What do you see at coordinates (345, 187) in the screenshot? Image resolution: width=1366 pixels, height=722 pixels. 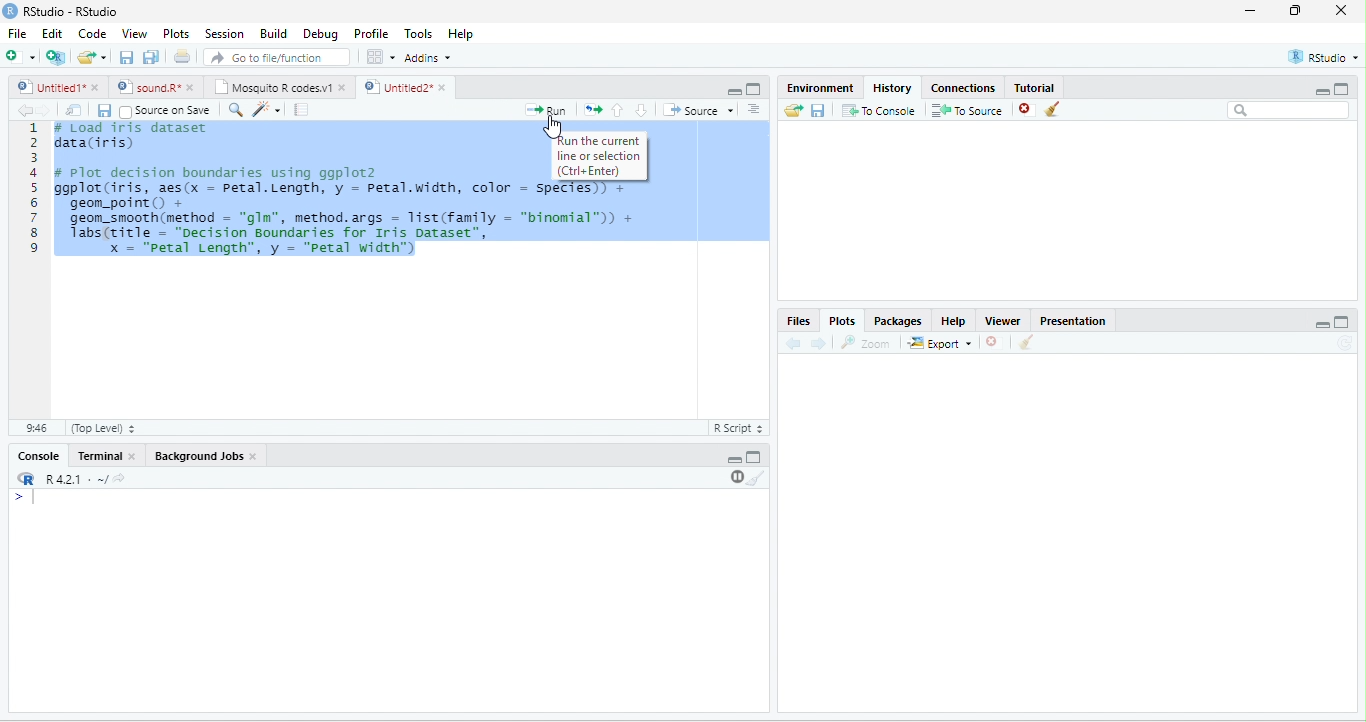 I see `# Plot decision boundaries using ggplot2
ggplot(iris, aes(x = petal.Length, y = Petal.width, color = Species) +
geom_point() +` at bounding box center [345, 187].